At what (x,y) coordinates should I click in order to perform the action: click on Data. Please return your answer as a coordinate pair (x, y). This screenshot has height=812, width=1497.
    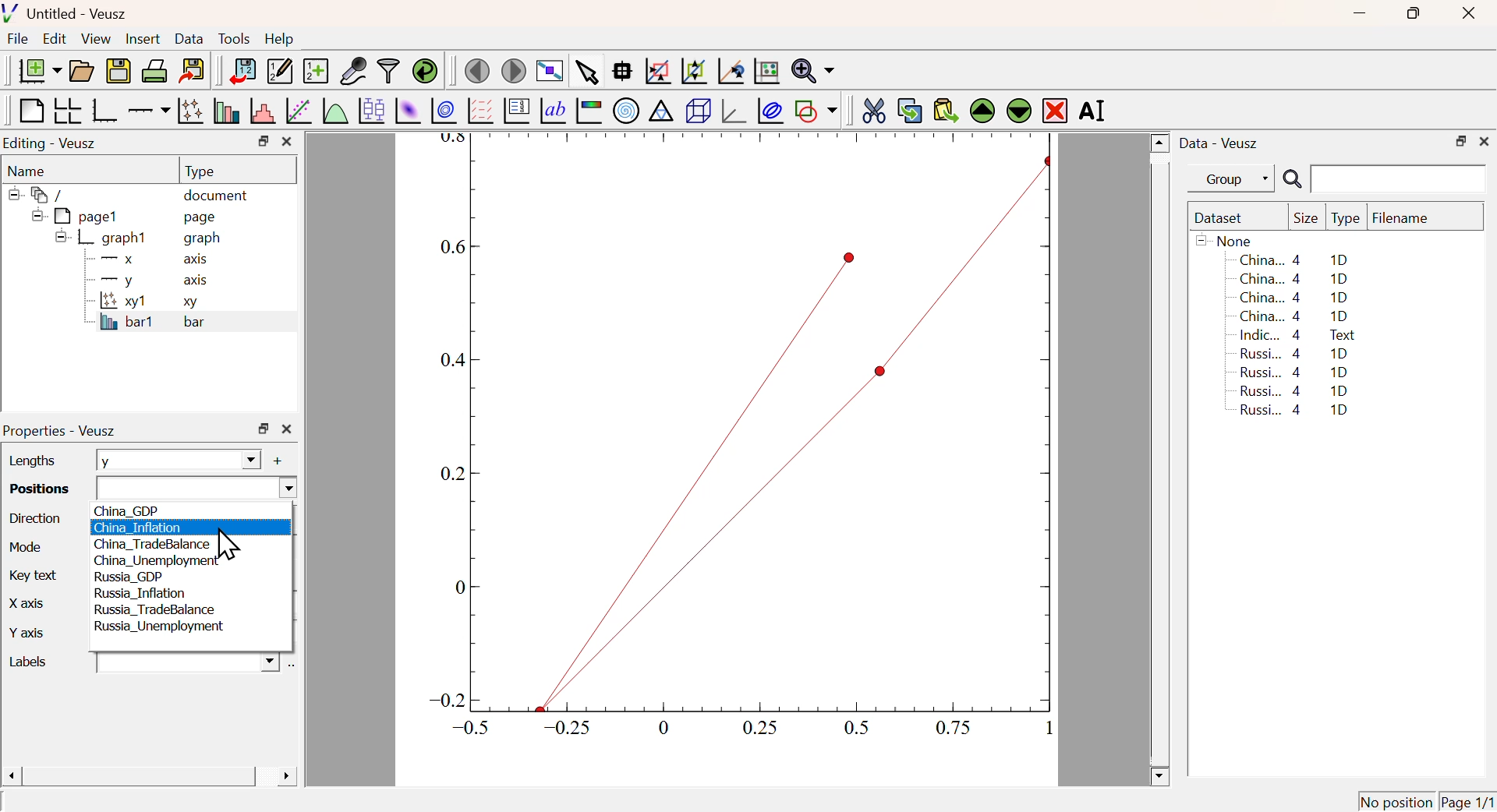
    Looking at the image, I should click on (189, 38).